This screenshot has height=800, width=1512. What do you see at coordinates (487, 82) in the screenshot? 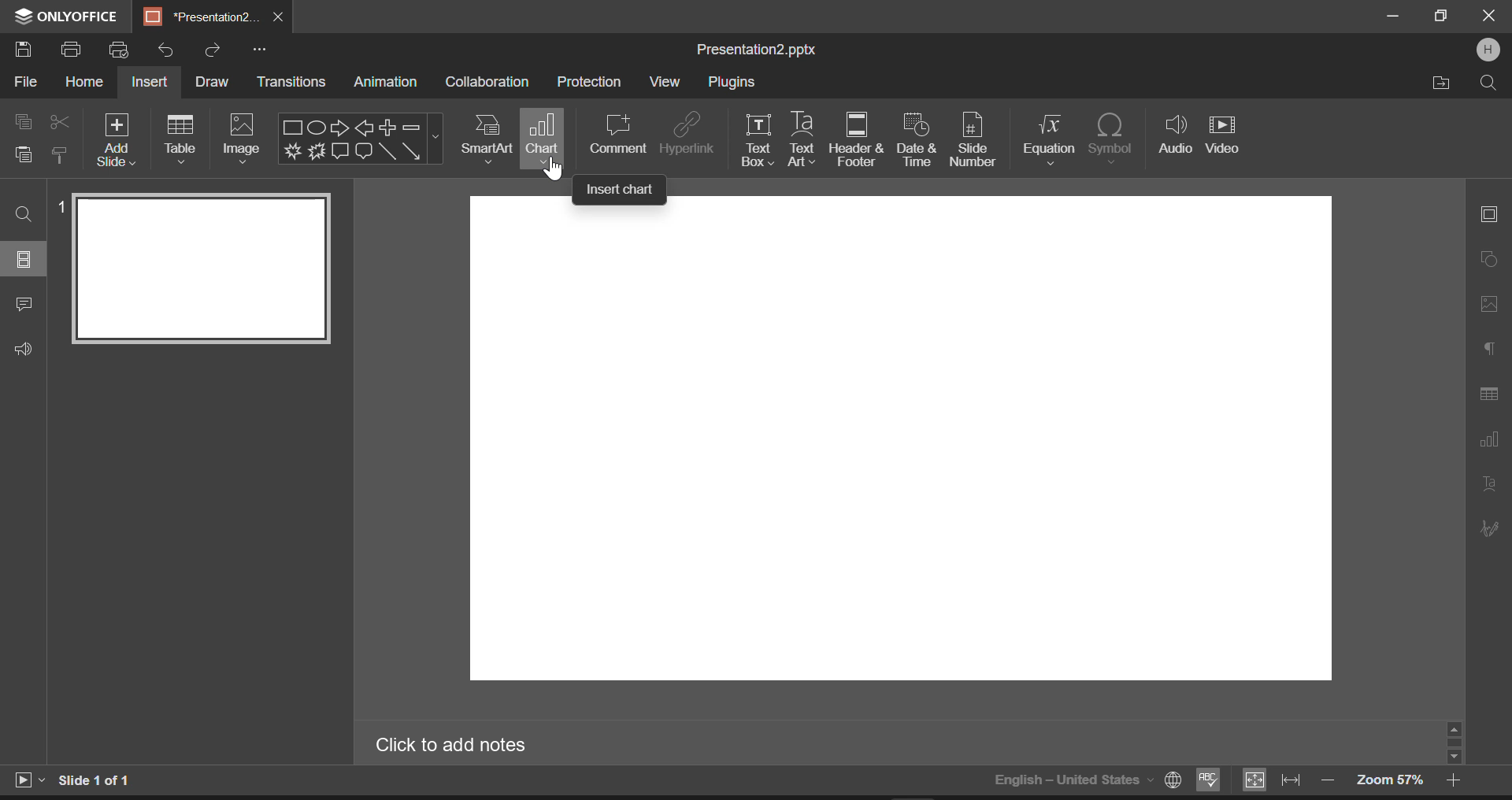
I see `Collaboration` at bounding box center [487, 82].